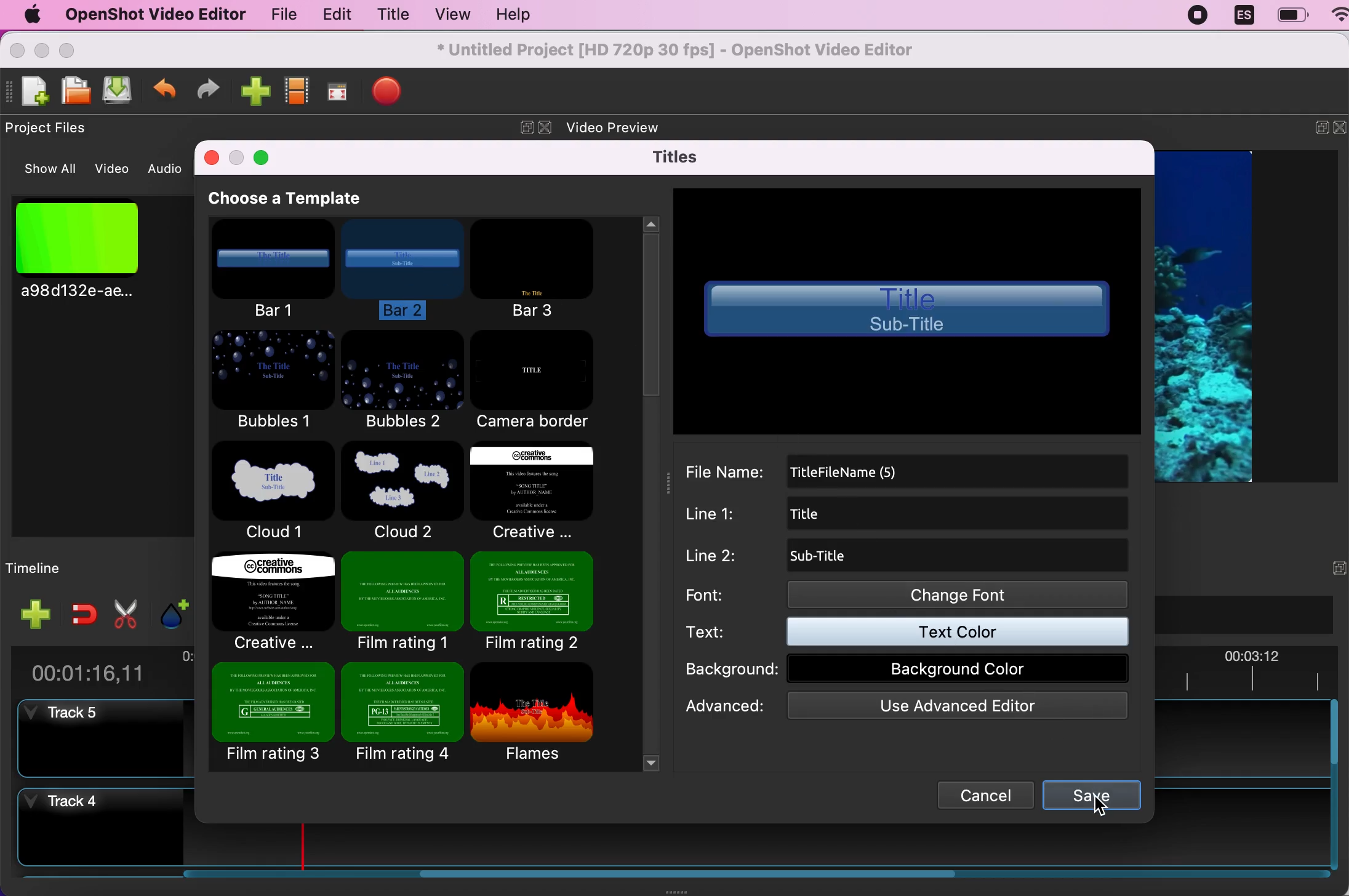  Describe the element at coordinates (100, 668) in the screenshot. I see `time duration` at that location.